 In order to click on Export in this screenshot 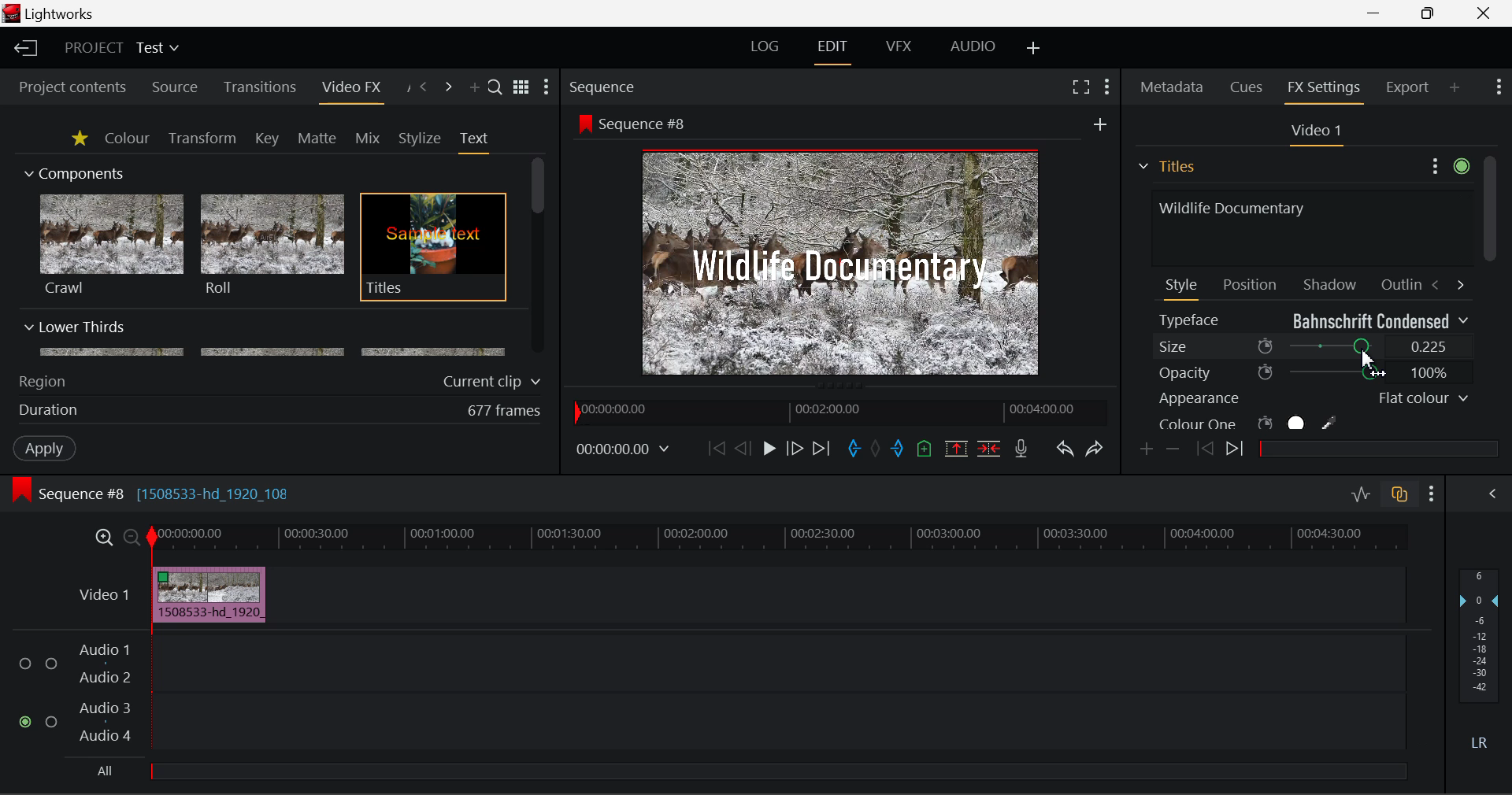, I will do `click(1408, 87)`.